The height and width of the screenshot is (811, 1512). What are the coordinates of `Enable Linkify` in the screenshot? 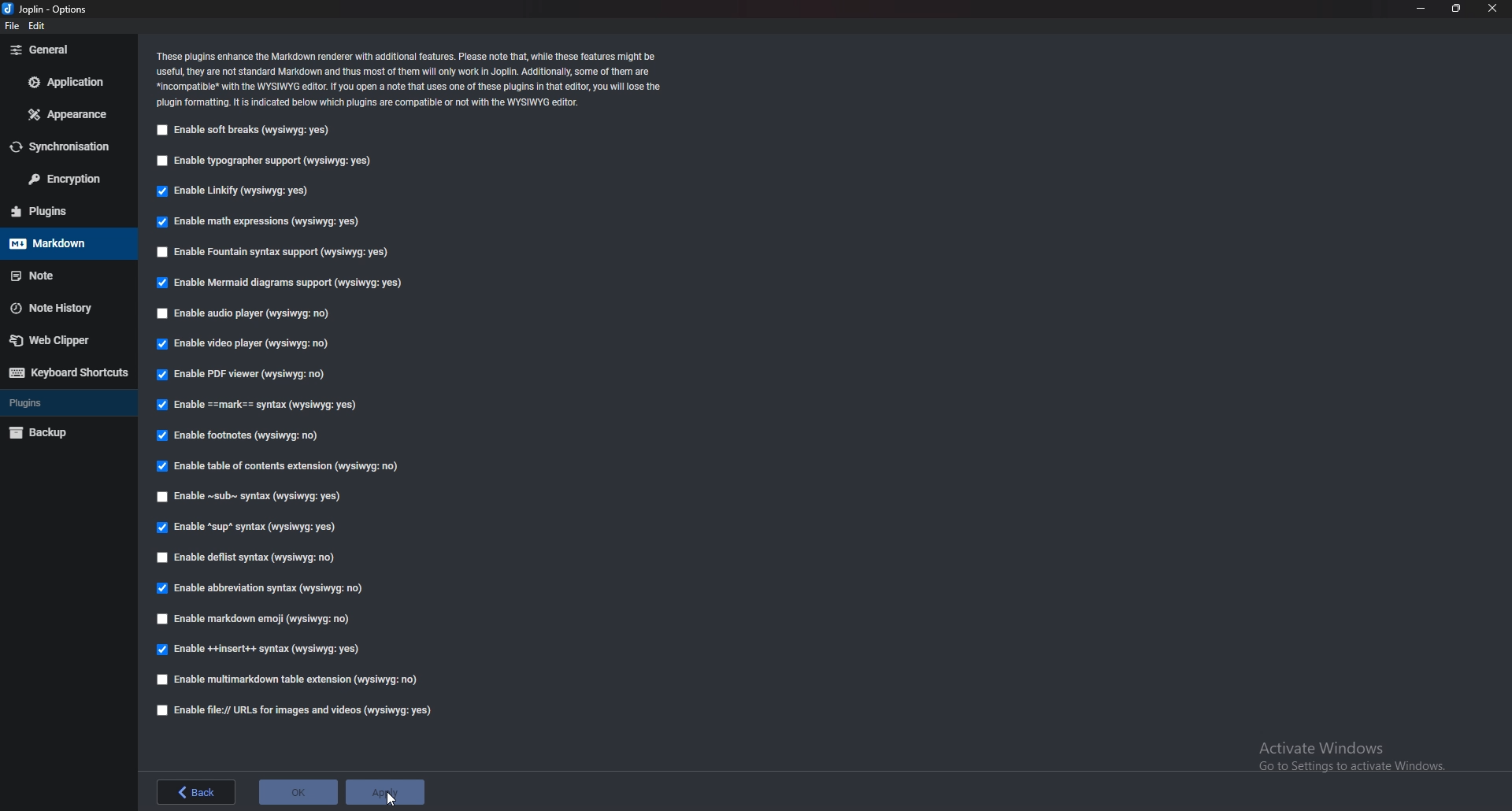 It's located at (231, 192).